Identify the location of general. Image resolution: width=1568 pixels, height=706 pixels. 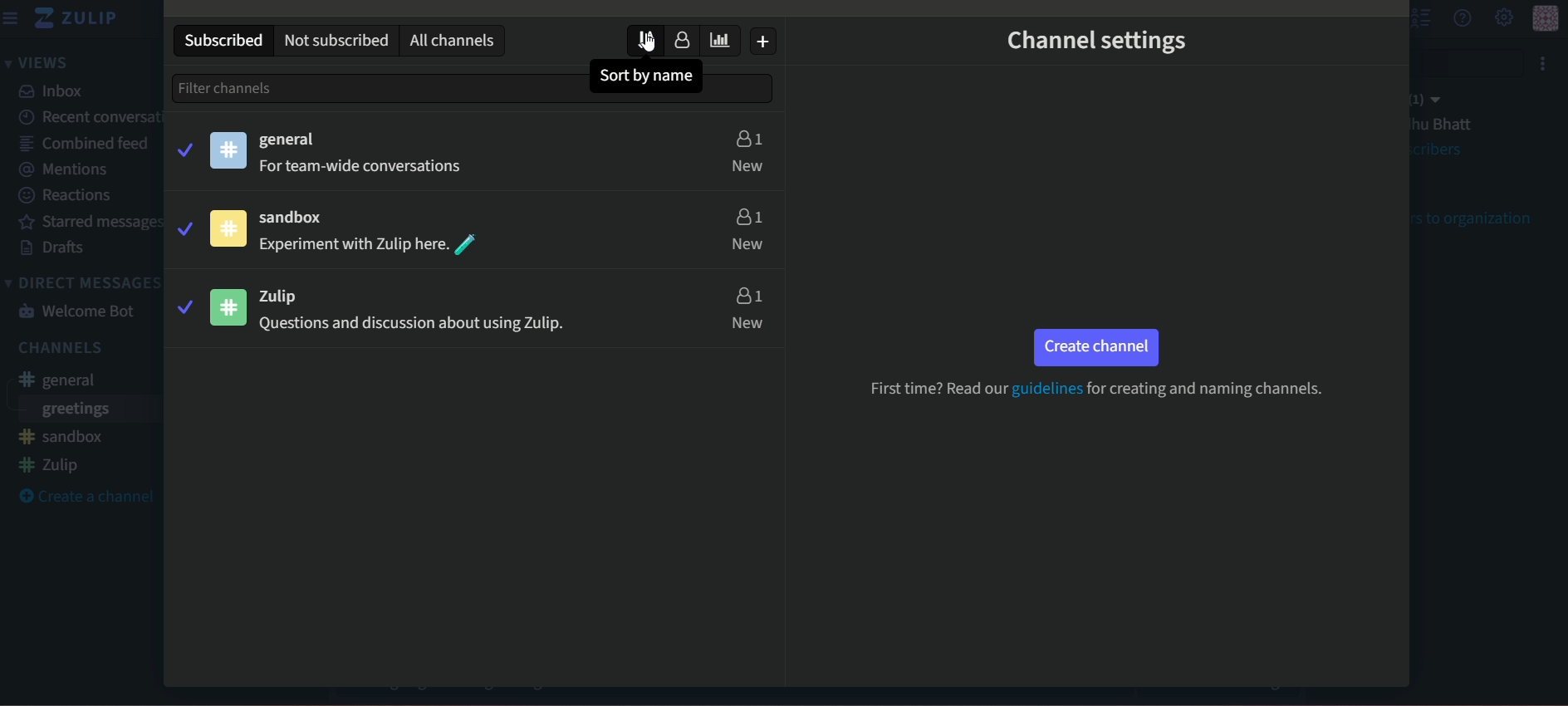
(61, 382).